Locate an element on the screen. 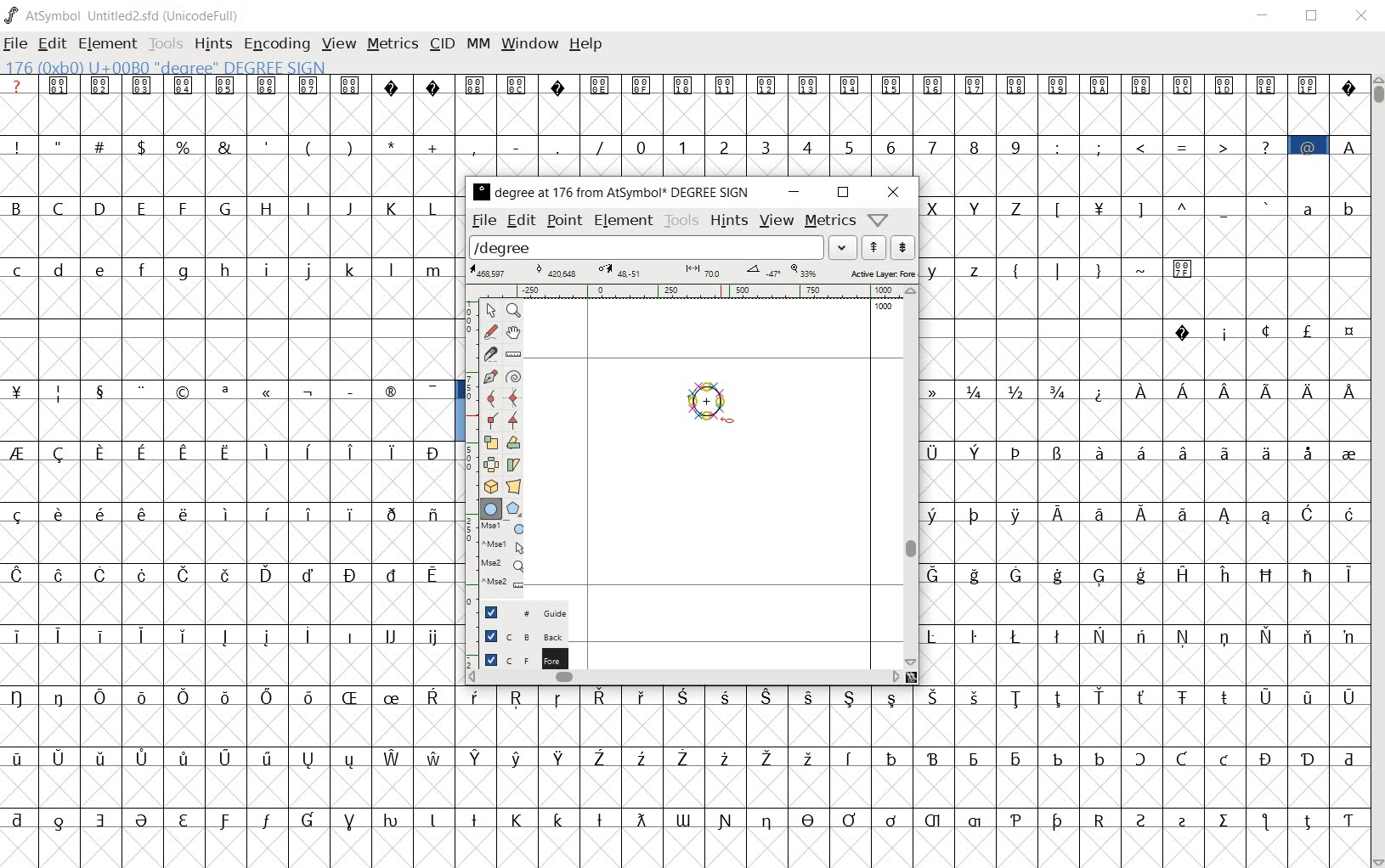  small letters a b is located at coordinates (1329, 207).